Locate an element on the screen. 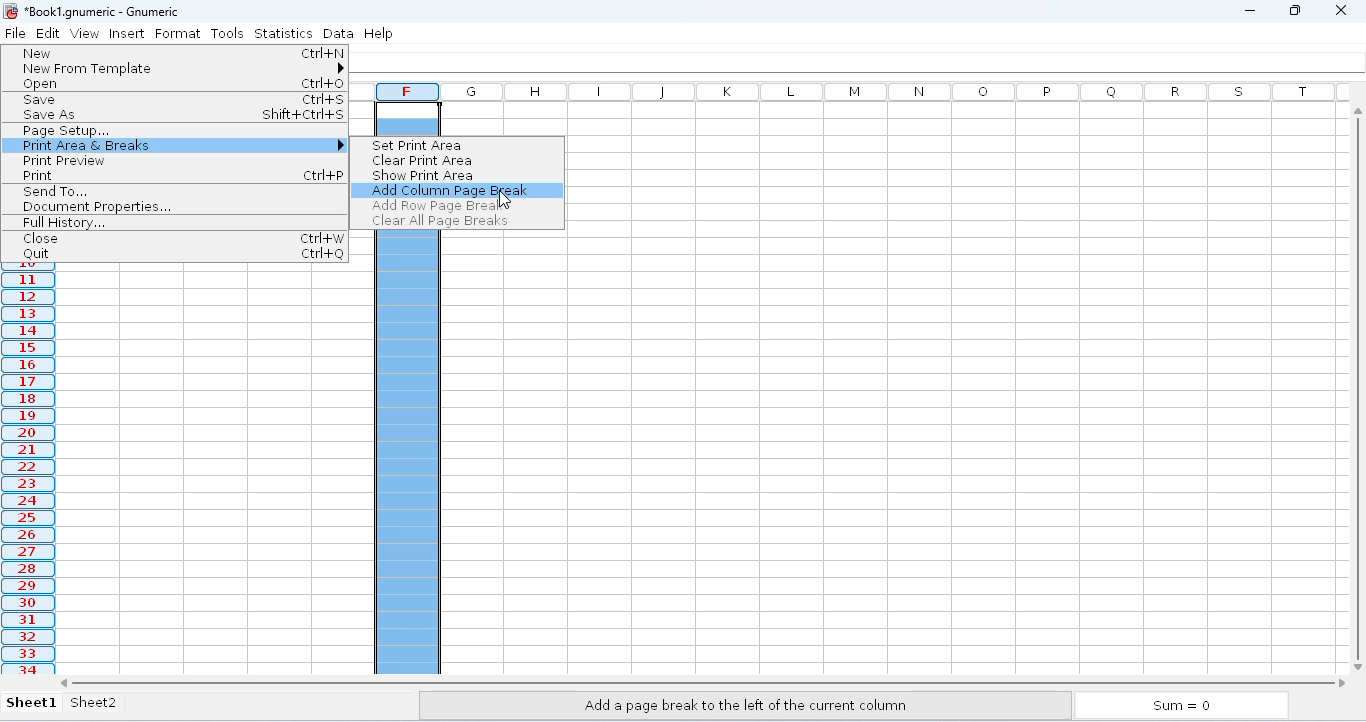 The height and width of the screenshot is (722, 1366). Book1 numeric - Gnumeric is located at coordinates (103, 11).